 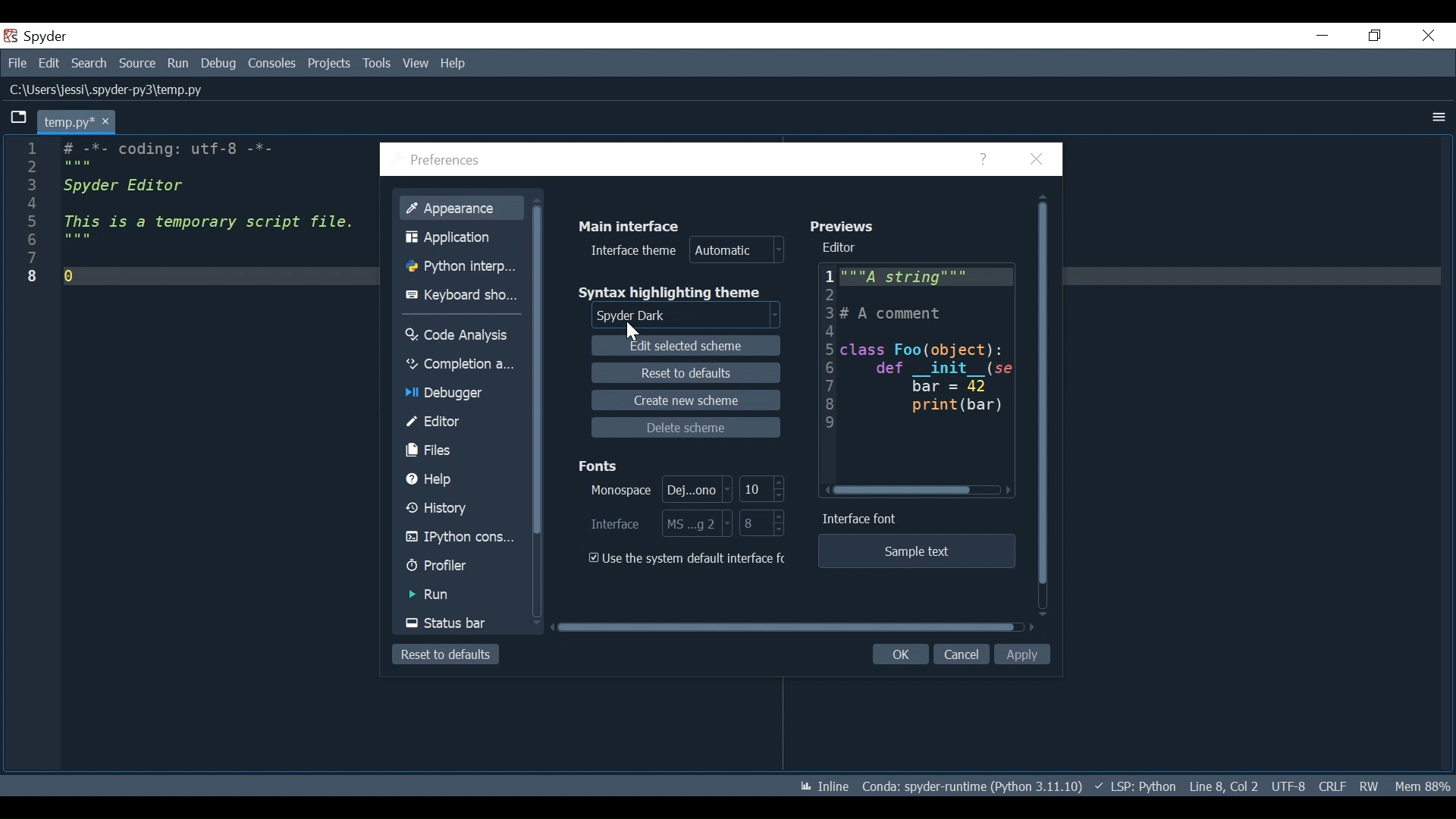 What do you see at coordinates (762, 488) in the screenshot?
I see `Select Monospace Font Size` at bounding box center [762, 488].